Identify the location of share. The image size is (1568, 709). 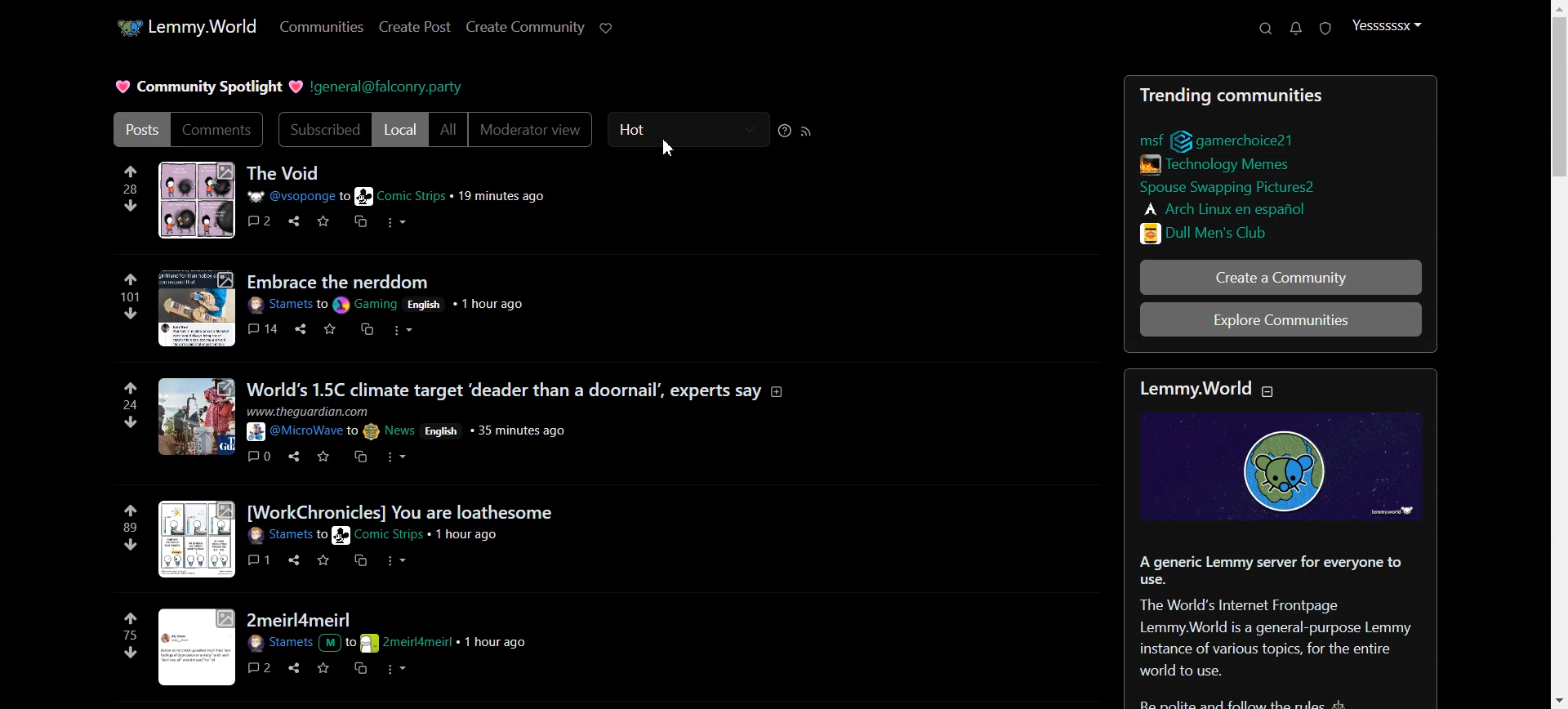
(296, 457).